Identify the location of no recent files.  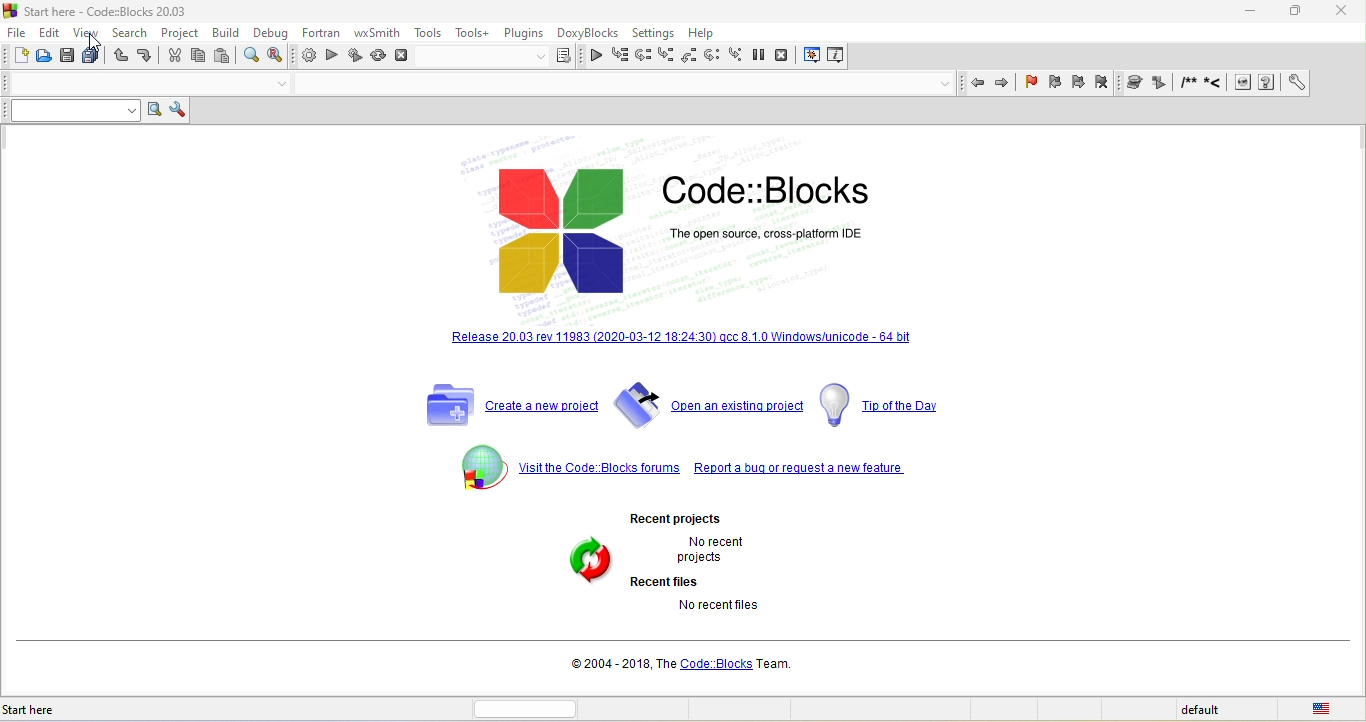
(715, 608).